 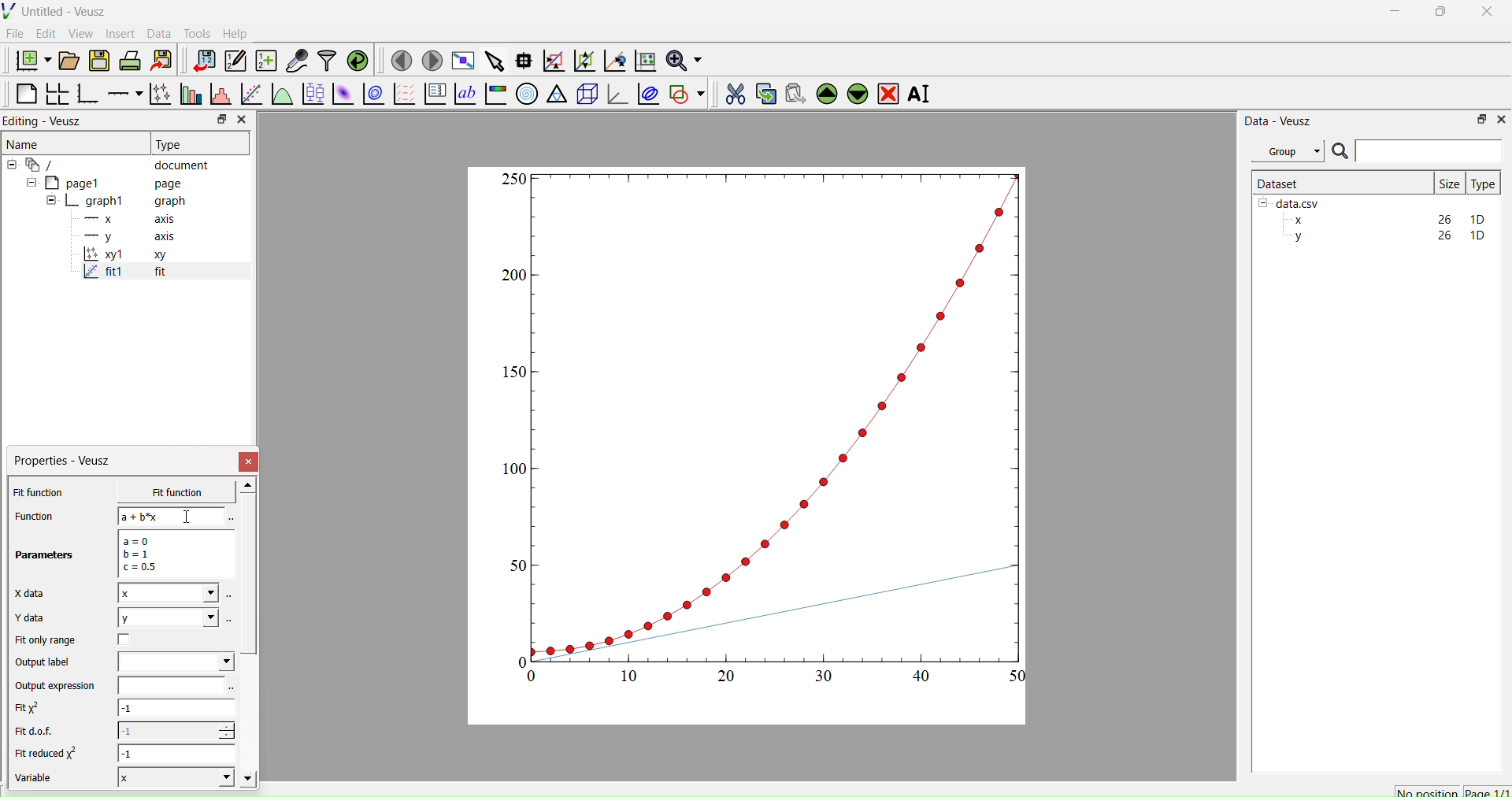 I want to click on X data, so click(x=33, y=591).